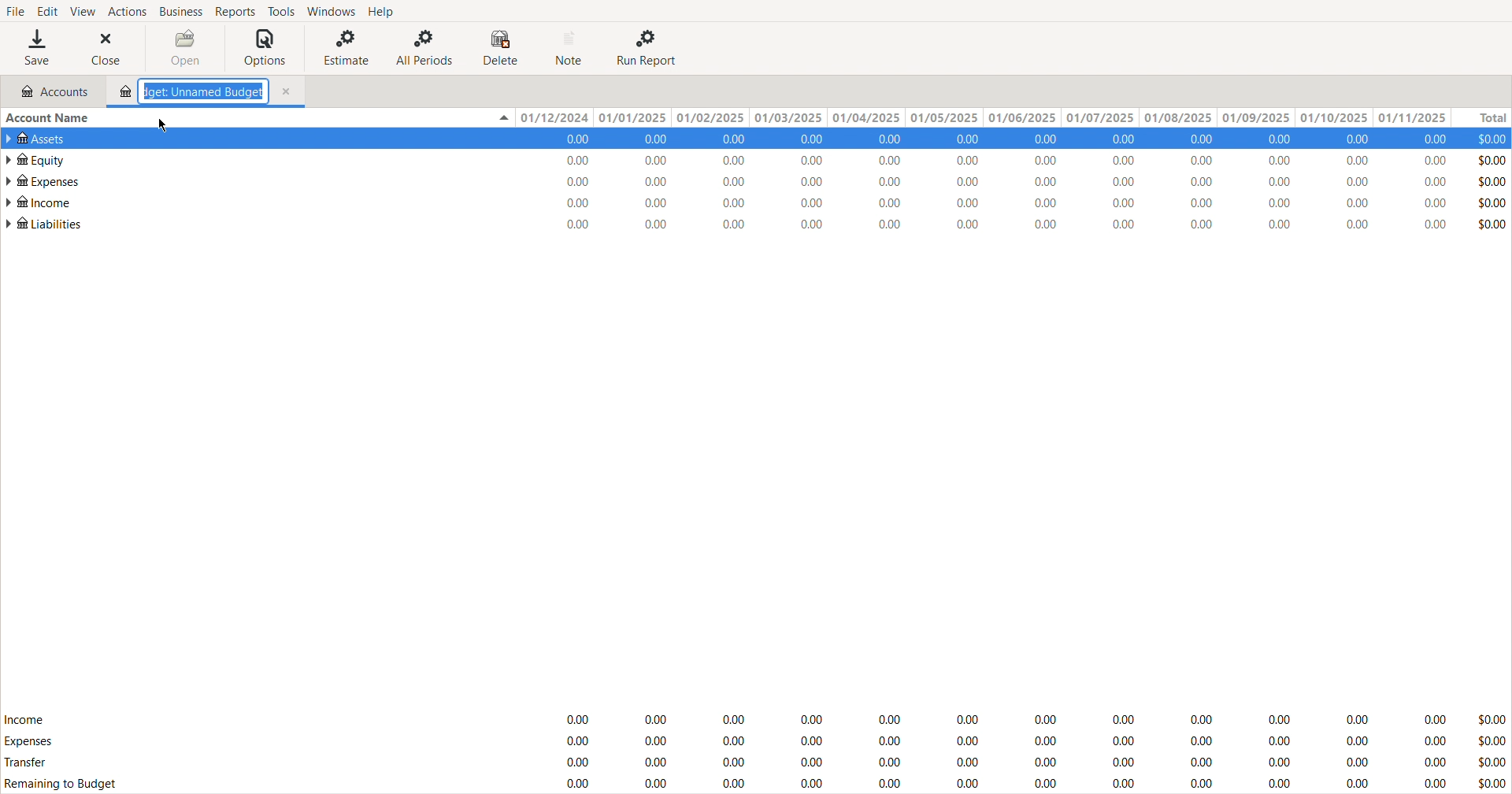  Describe the element at coordinates (49, 90) in the screenshot. I see `Accounts` at that location.